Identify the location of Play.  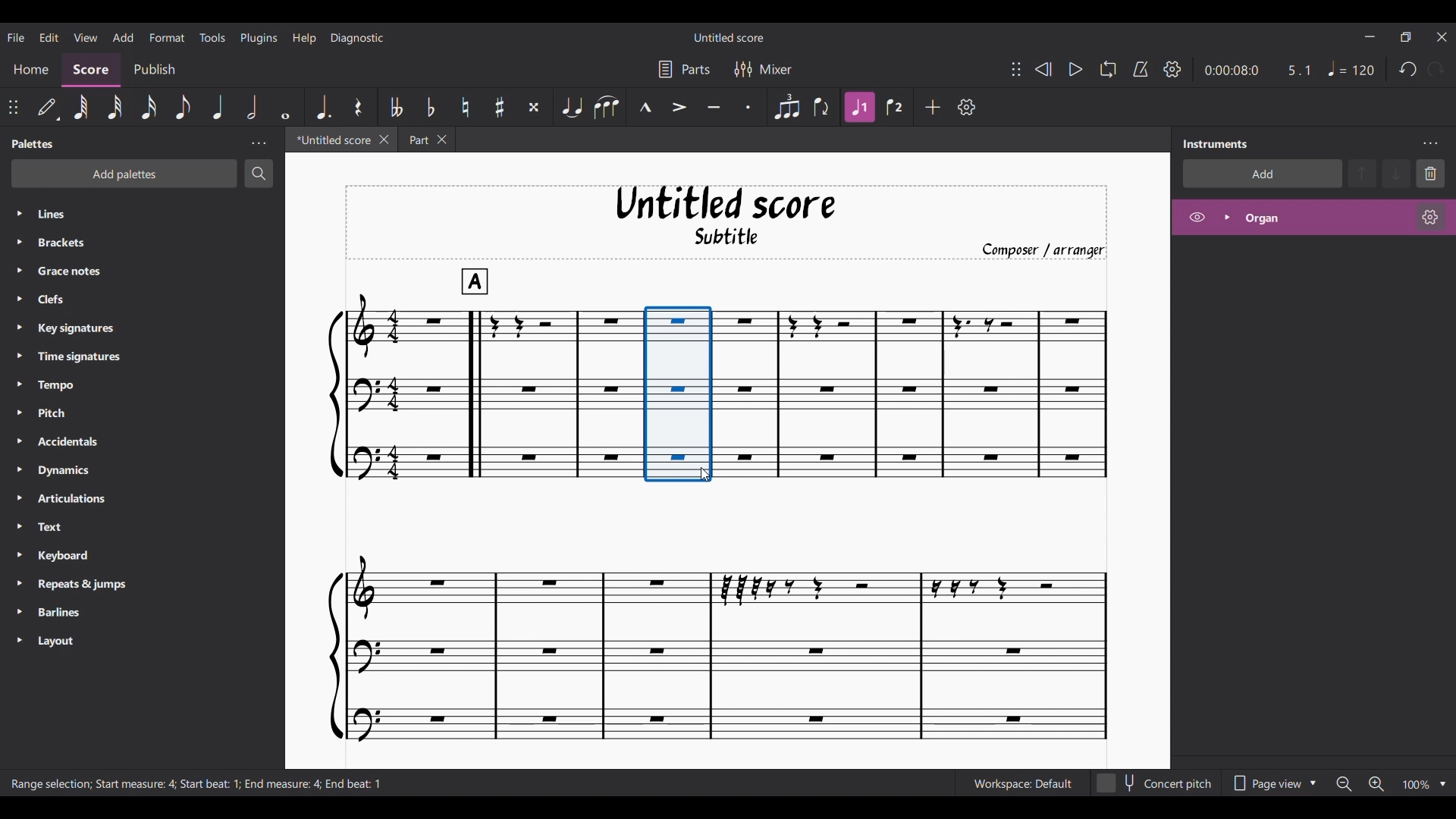
(1075, 70).